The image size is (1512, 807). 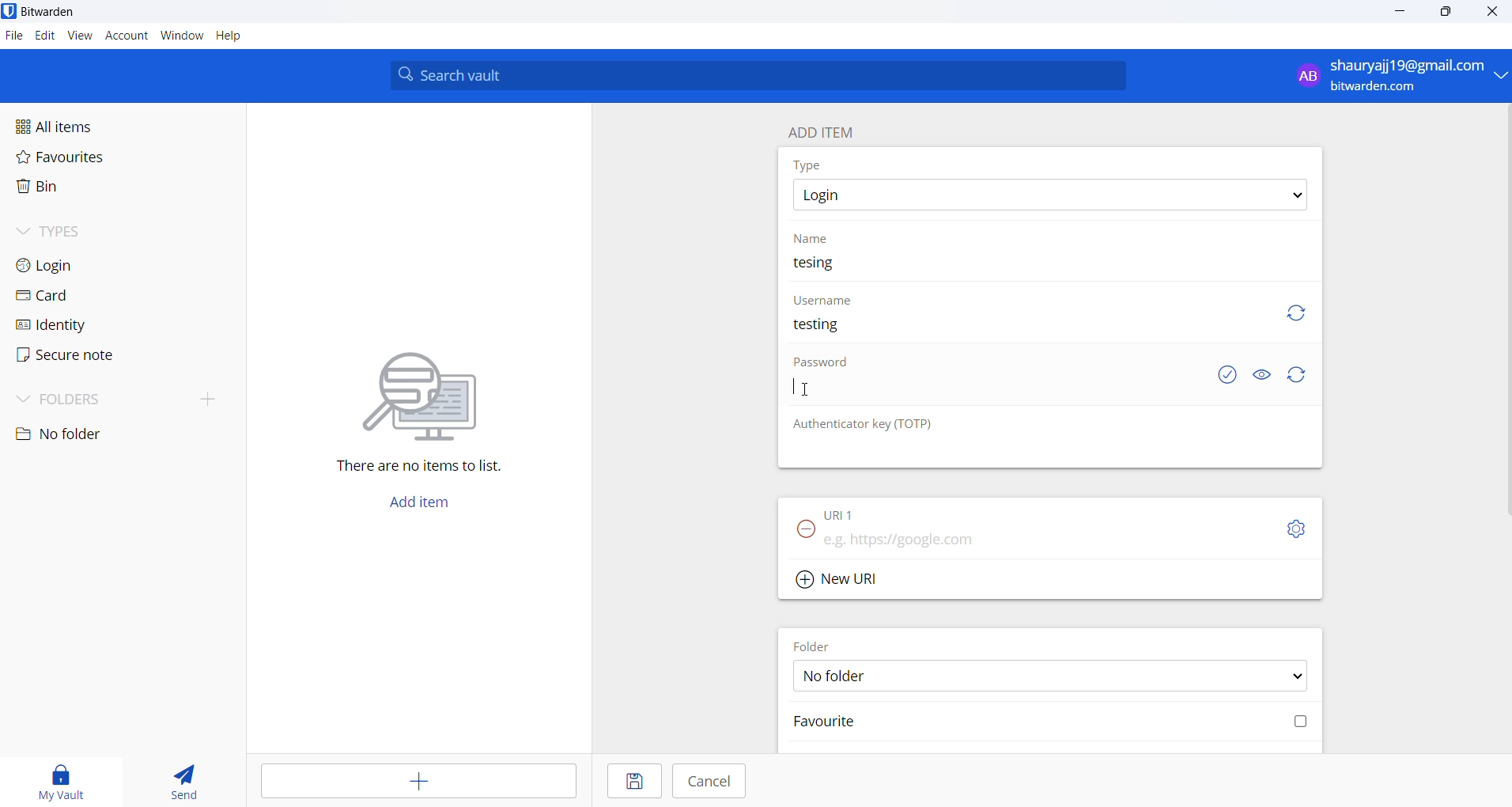 I want to click on Password , so click(x=825, y=366).